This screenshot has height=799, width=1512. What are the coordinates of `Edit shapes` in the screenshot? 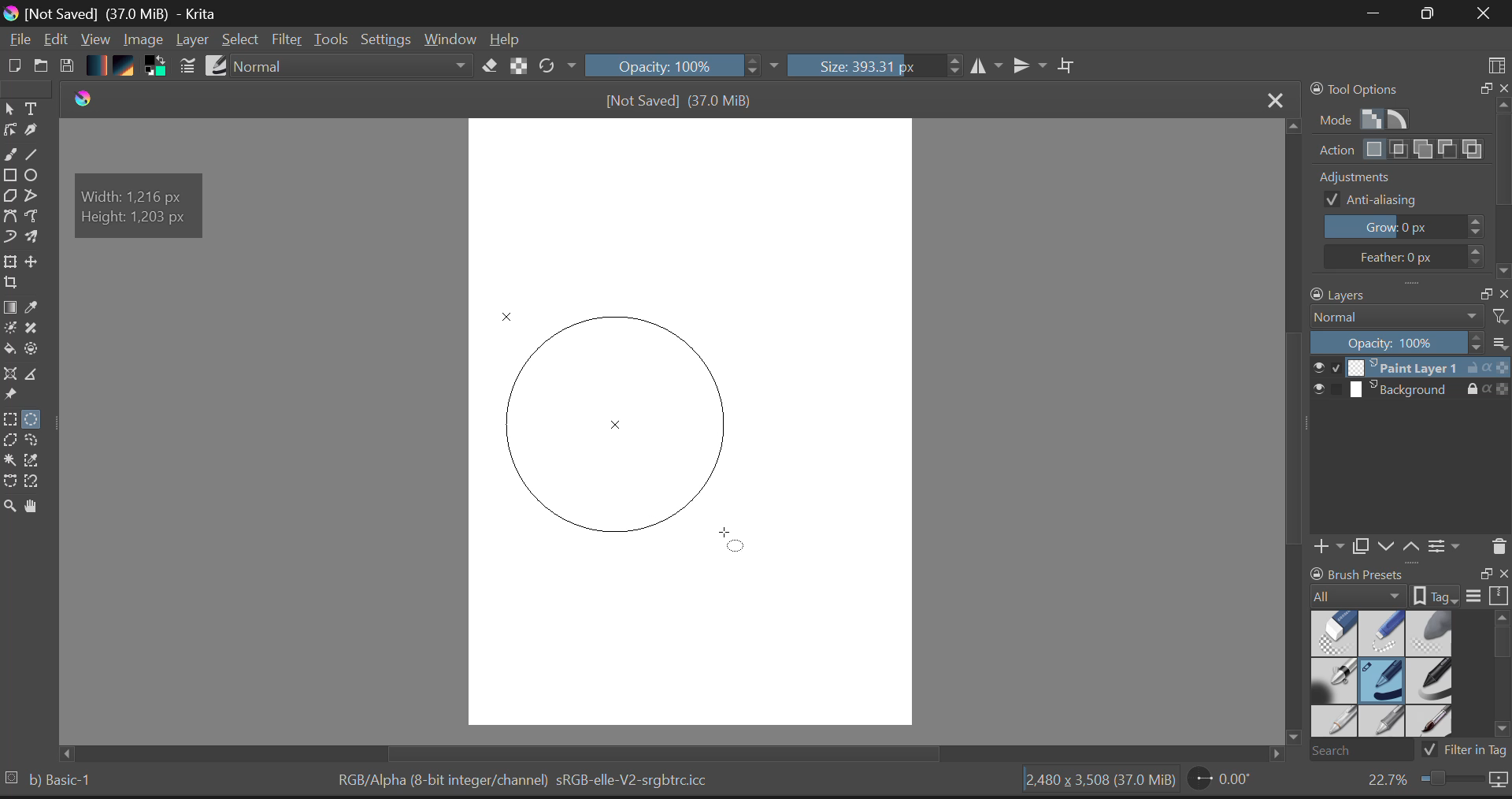 It's located at (9, 132).